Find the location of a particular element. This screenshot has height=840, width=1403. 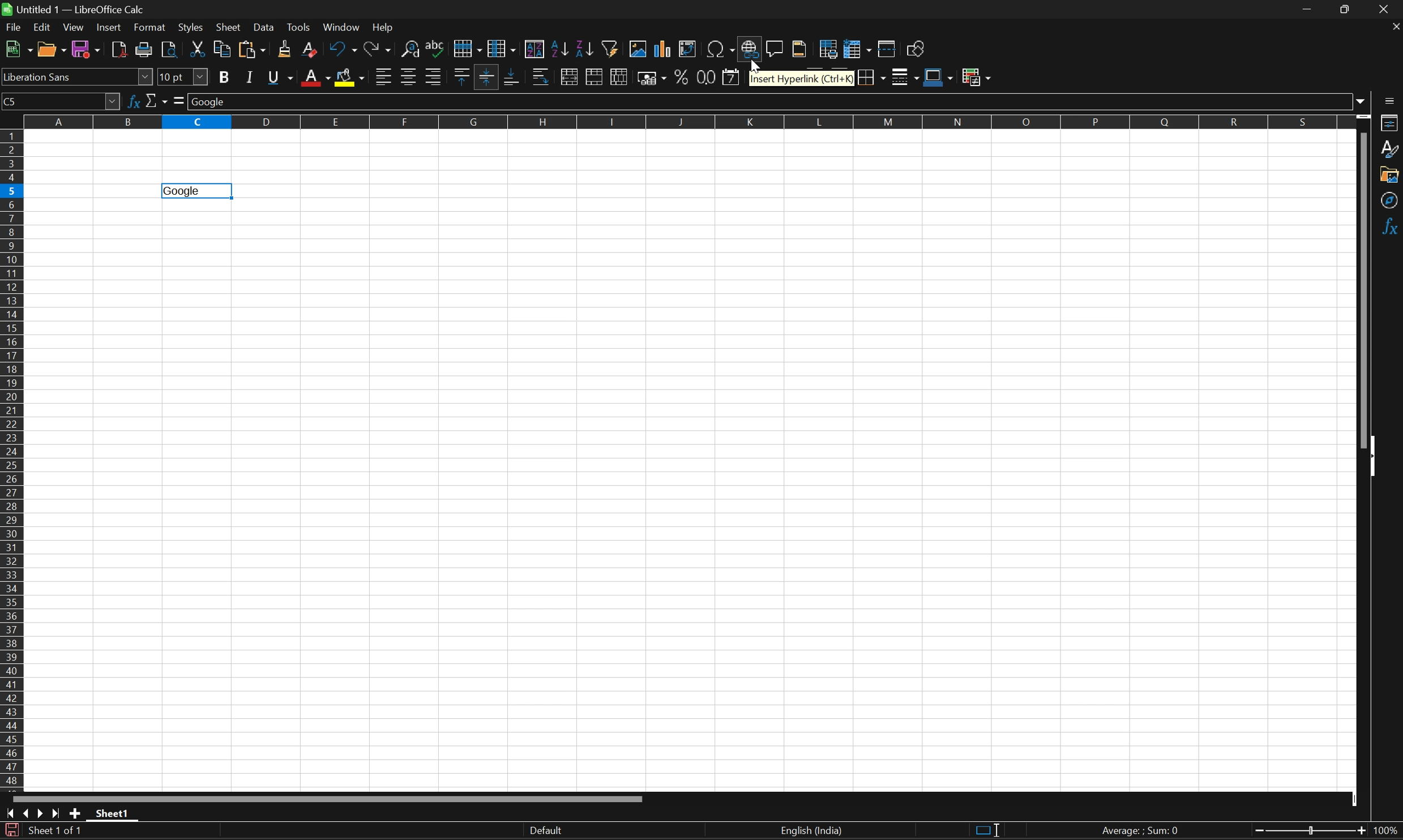

Underline is located at coordinates (282, 76).